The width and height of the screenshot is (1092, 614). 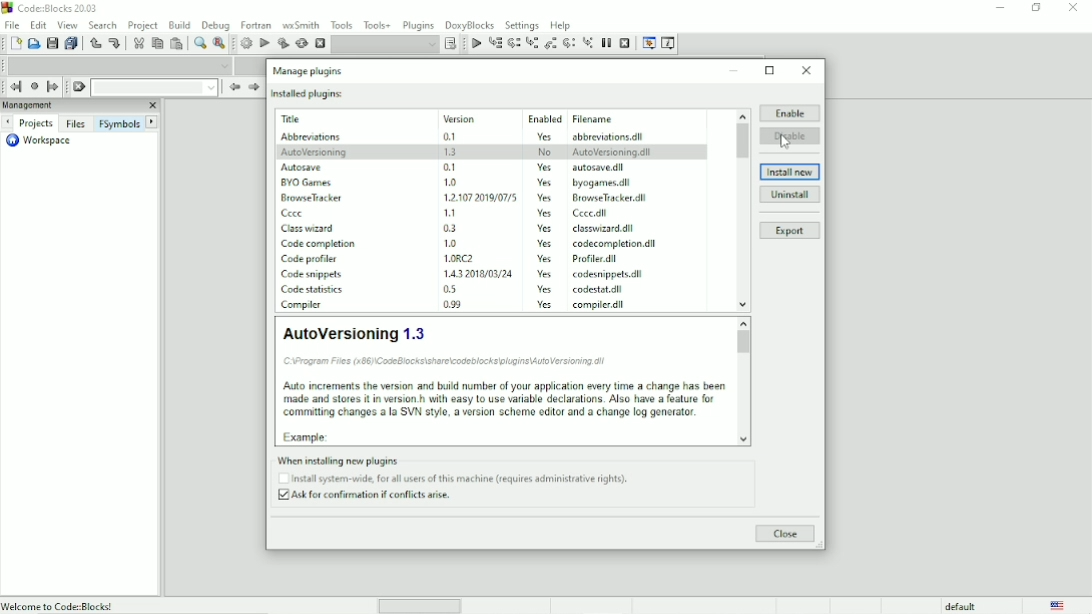 What do you see at coordinates (385, 44) in the screenshot?
I see `Drop down` at bounding box center [385, 44].